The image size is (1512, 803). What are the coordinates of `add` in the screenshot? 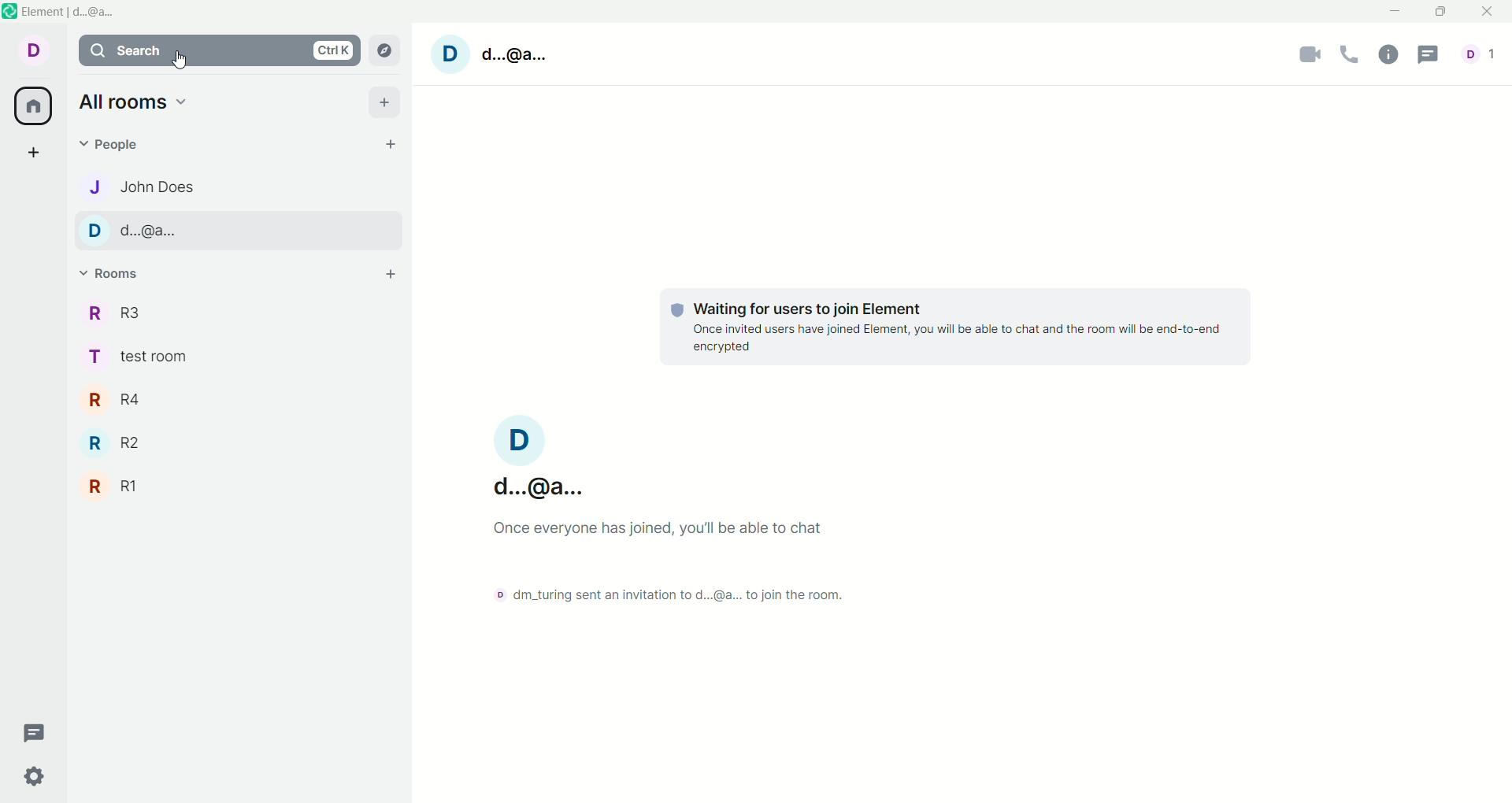 It's located at (390, 274).